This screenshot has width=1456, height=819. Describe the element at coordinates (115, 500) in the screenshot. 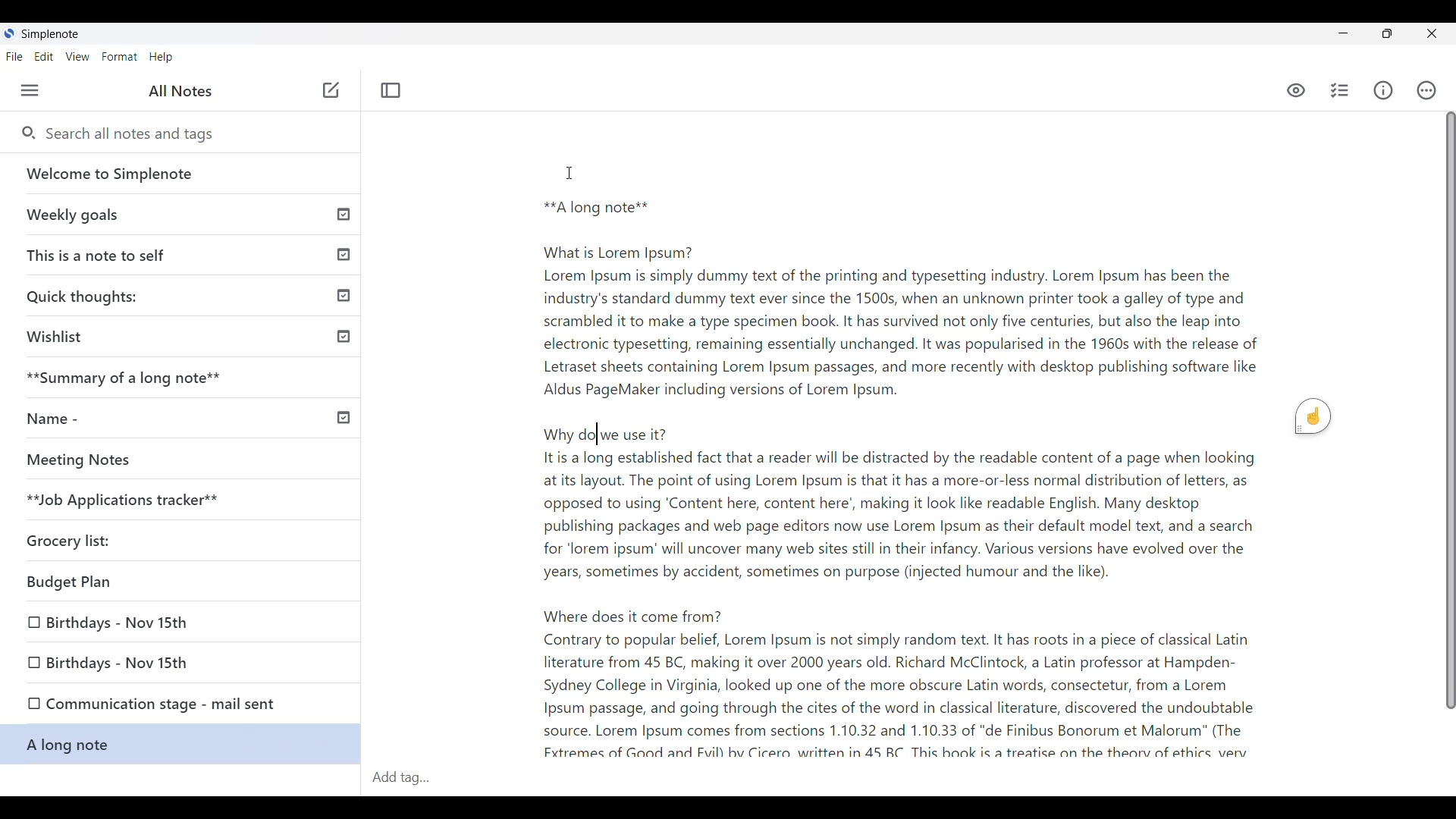

I see `Job Applications tracker` at that location.